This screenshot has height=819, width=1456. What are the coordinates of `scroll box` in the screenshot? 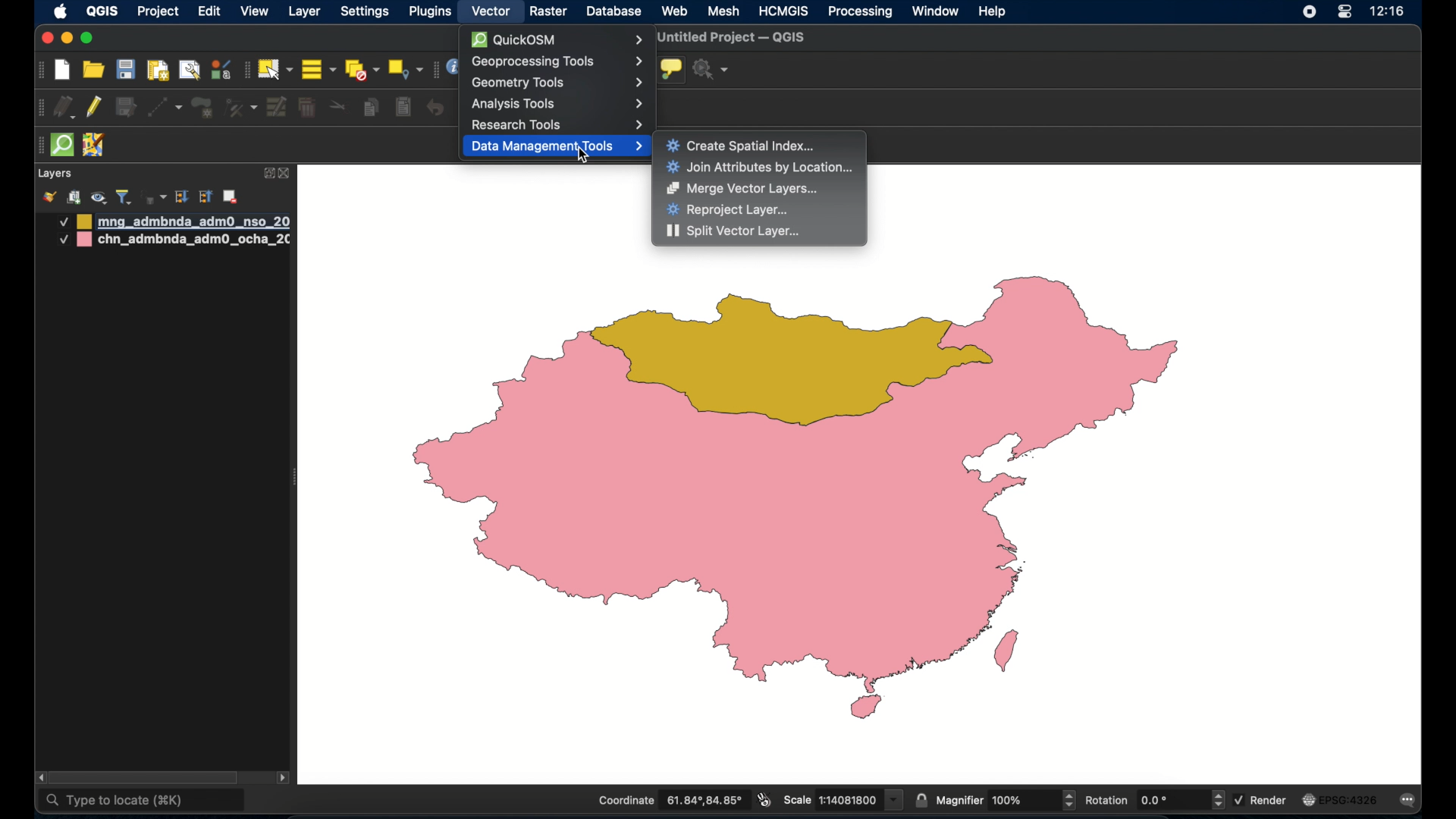 It's located at (149, 777).